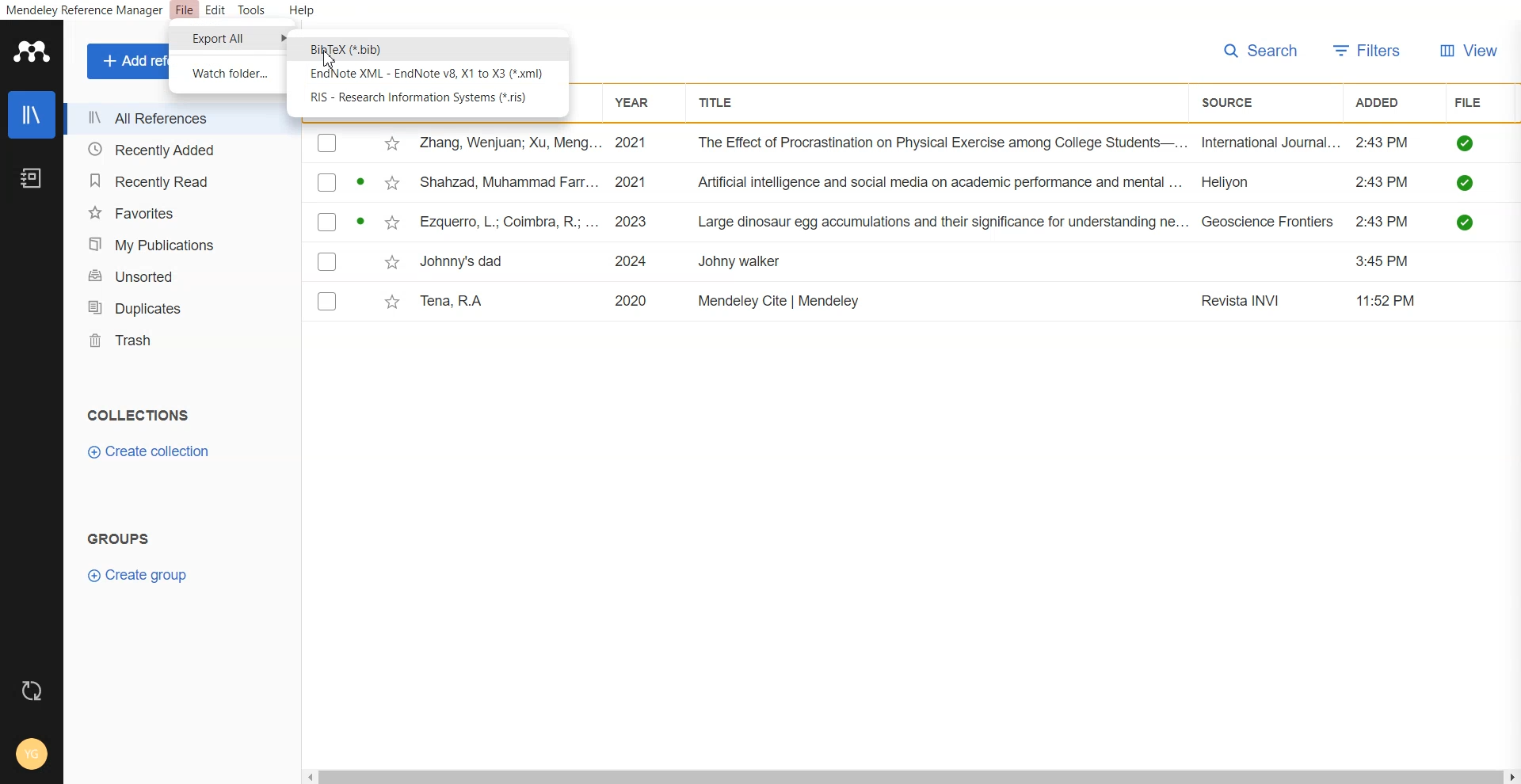 The width and height of the screenshot is (1521, 784). I want to click on Scroll right, so click(1511, 776).